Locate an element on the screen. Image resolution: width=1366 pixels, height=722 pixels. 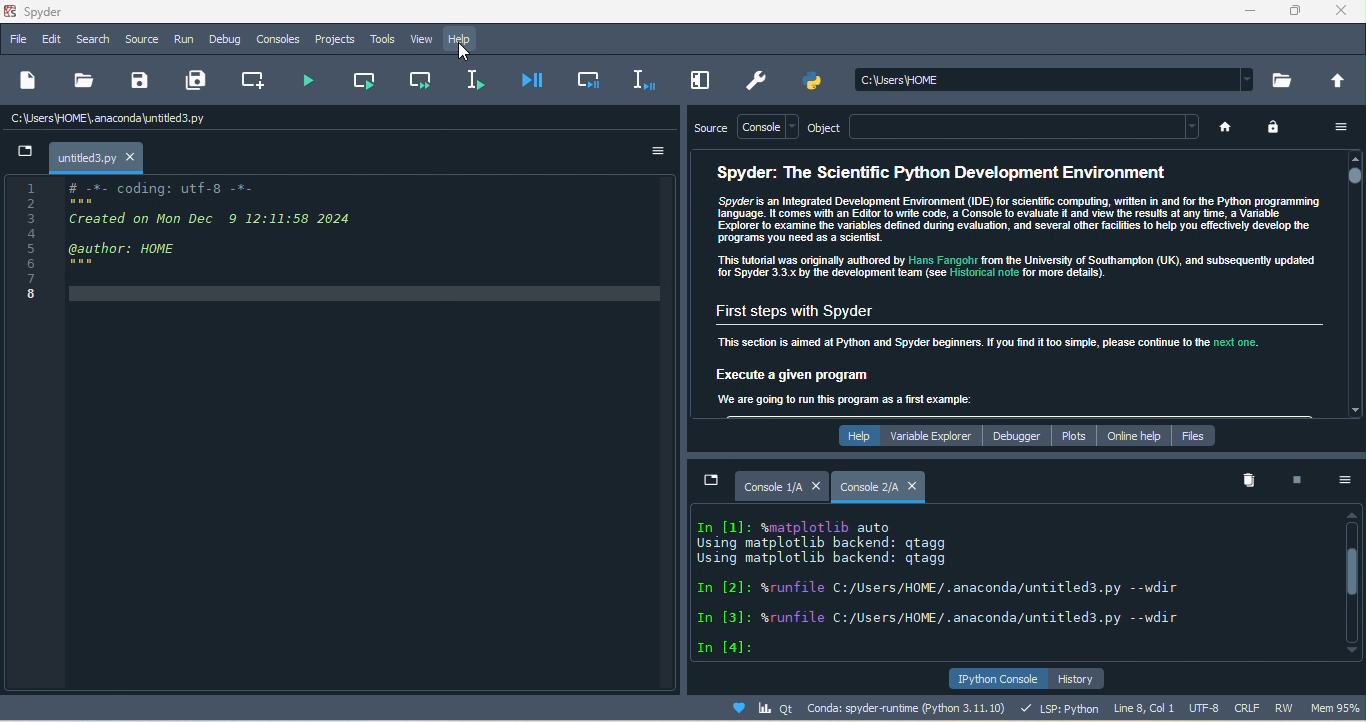
line 8, col 1, utf 8 is located at coordinates (1168, 708).